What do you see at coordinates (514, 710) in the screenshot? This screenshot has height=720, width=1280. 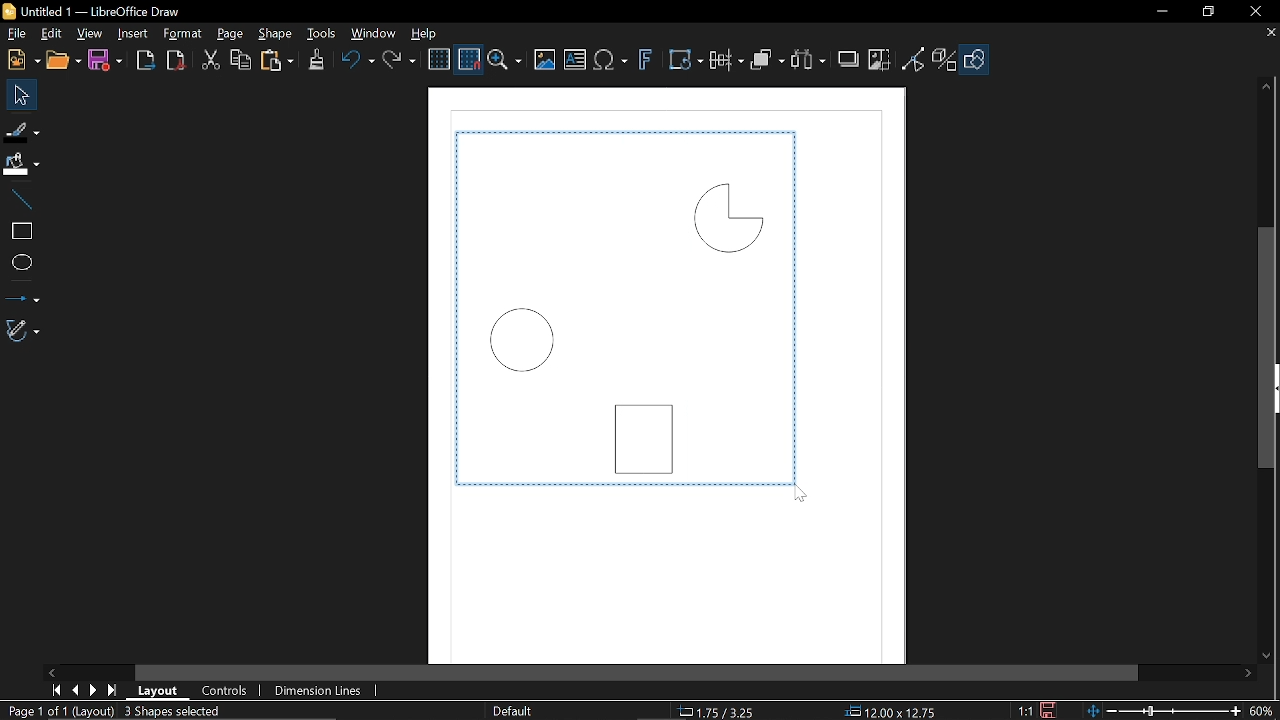 I see `slide Master name` at bounding box center [514, 710].